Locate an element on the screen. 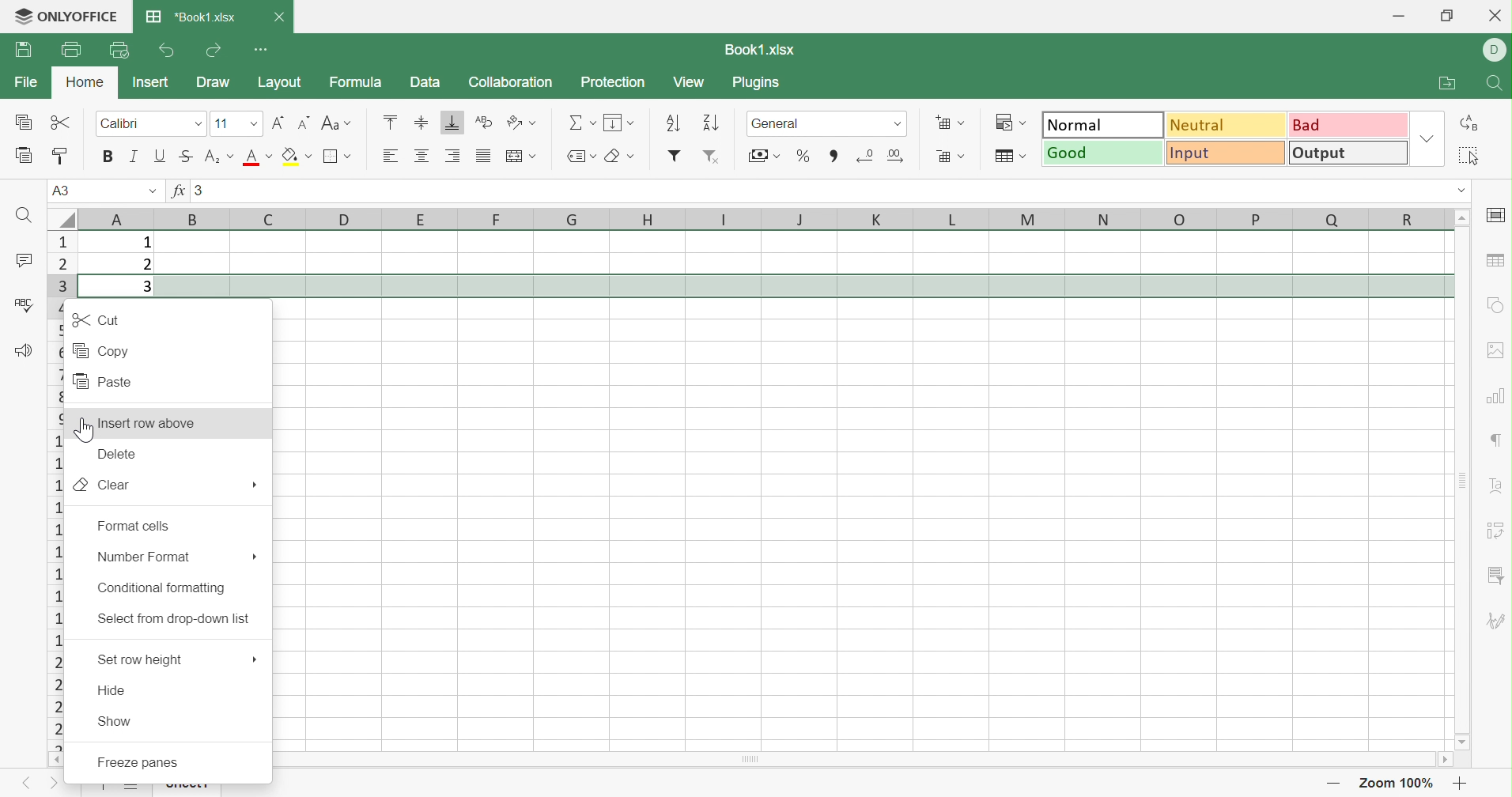 The width and height of the screenshot is (1512, 797). Replace is located at coordinates (1472, 122).